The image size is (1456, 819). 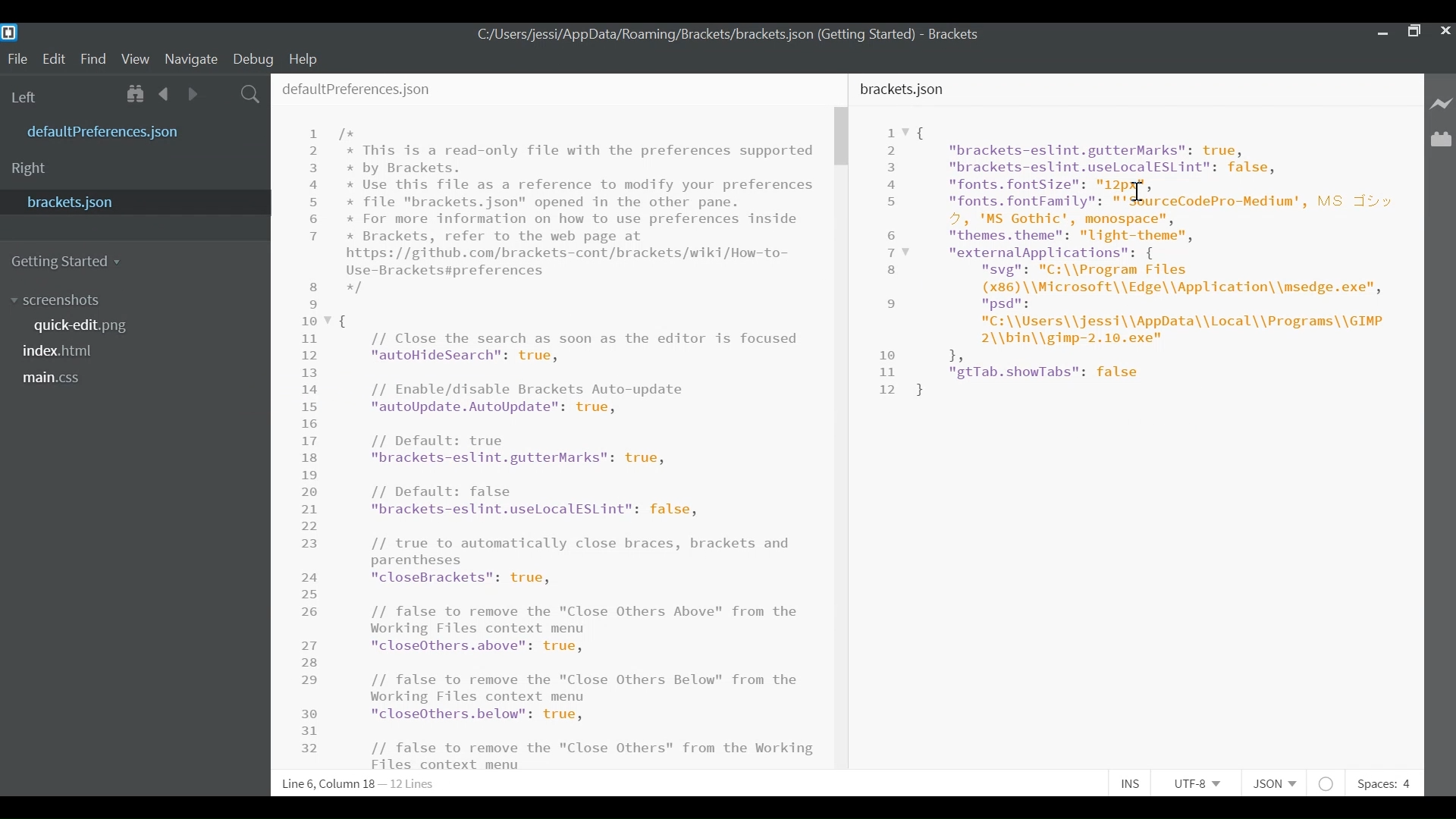 What do you see at coordinates (905, 93) in the screenshot?
I see `brackets.json ` at bounding box center [905, 93].